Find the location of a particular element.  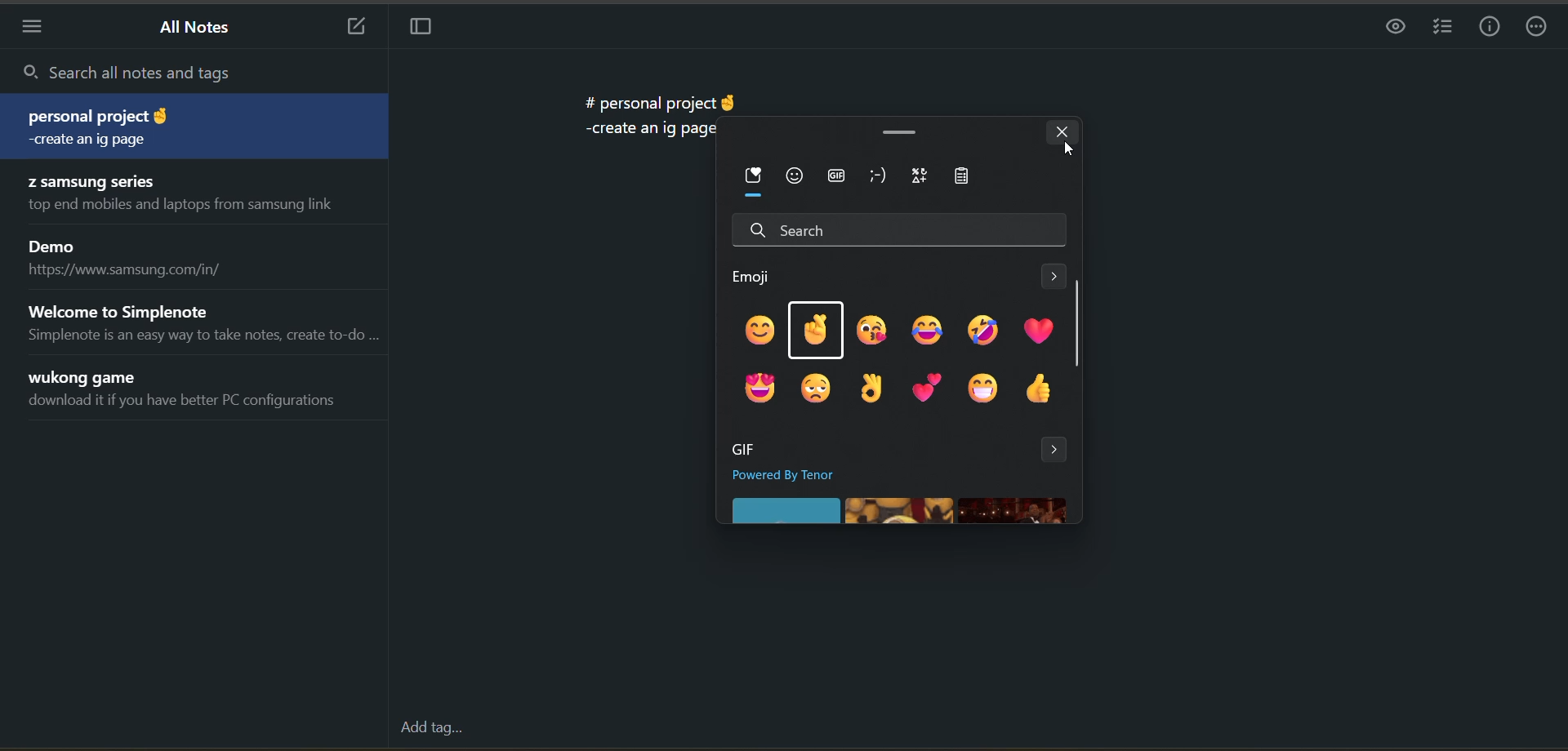

note title and preview is located at coordinates (203, 323).